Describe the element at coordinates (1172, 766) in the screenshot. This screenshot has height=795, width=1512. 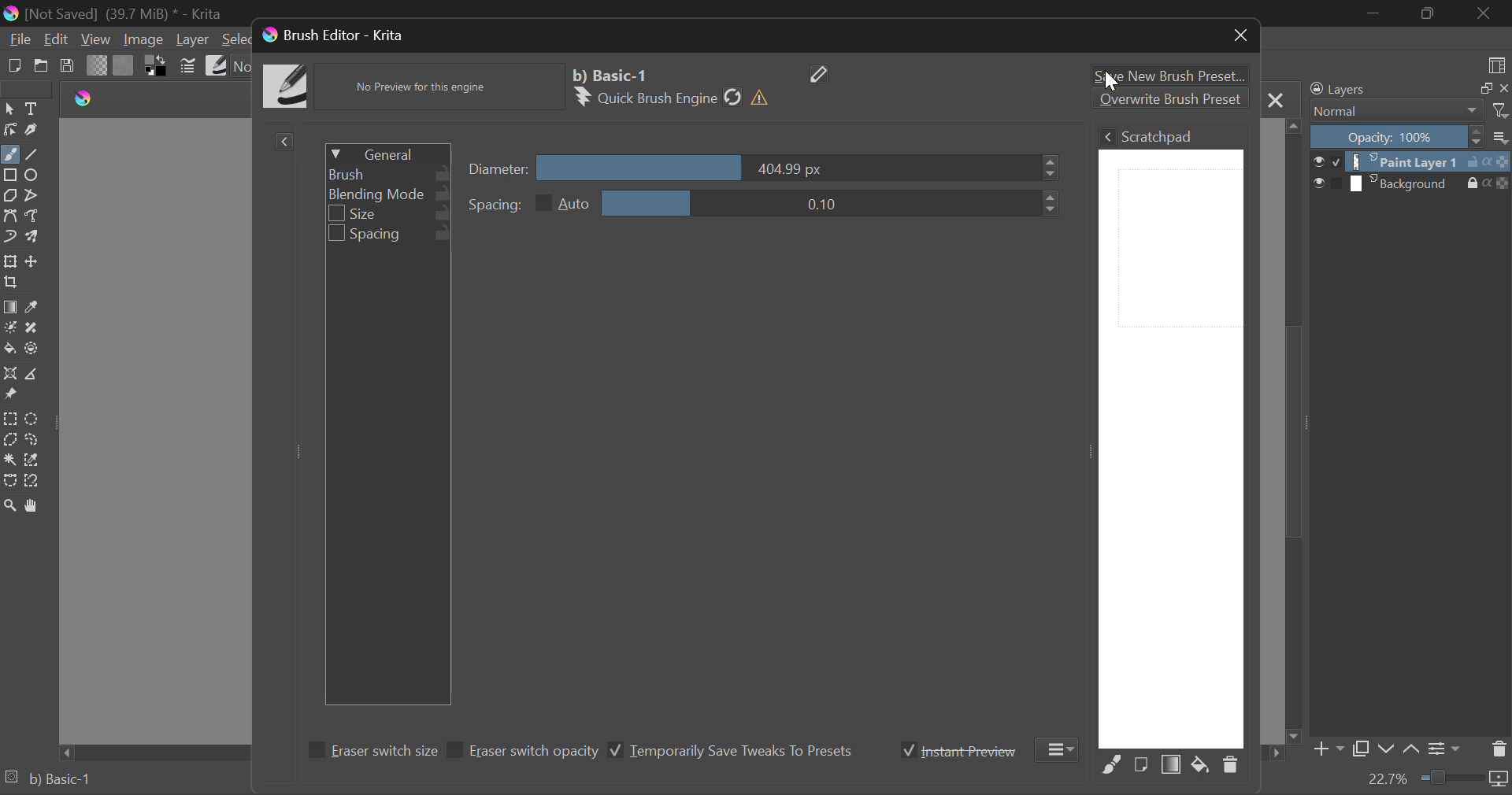
I see `Fill Area with Gradient` at that location.